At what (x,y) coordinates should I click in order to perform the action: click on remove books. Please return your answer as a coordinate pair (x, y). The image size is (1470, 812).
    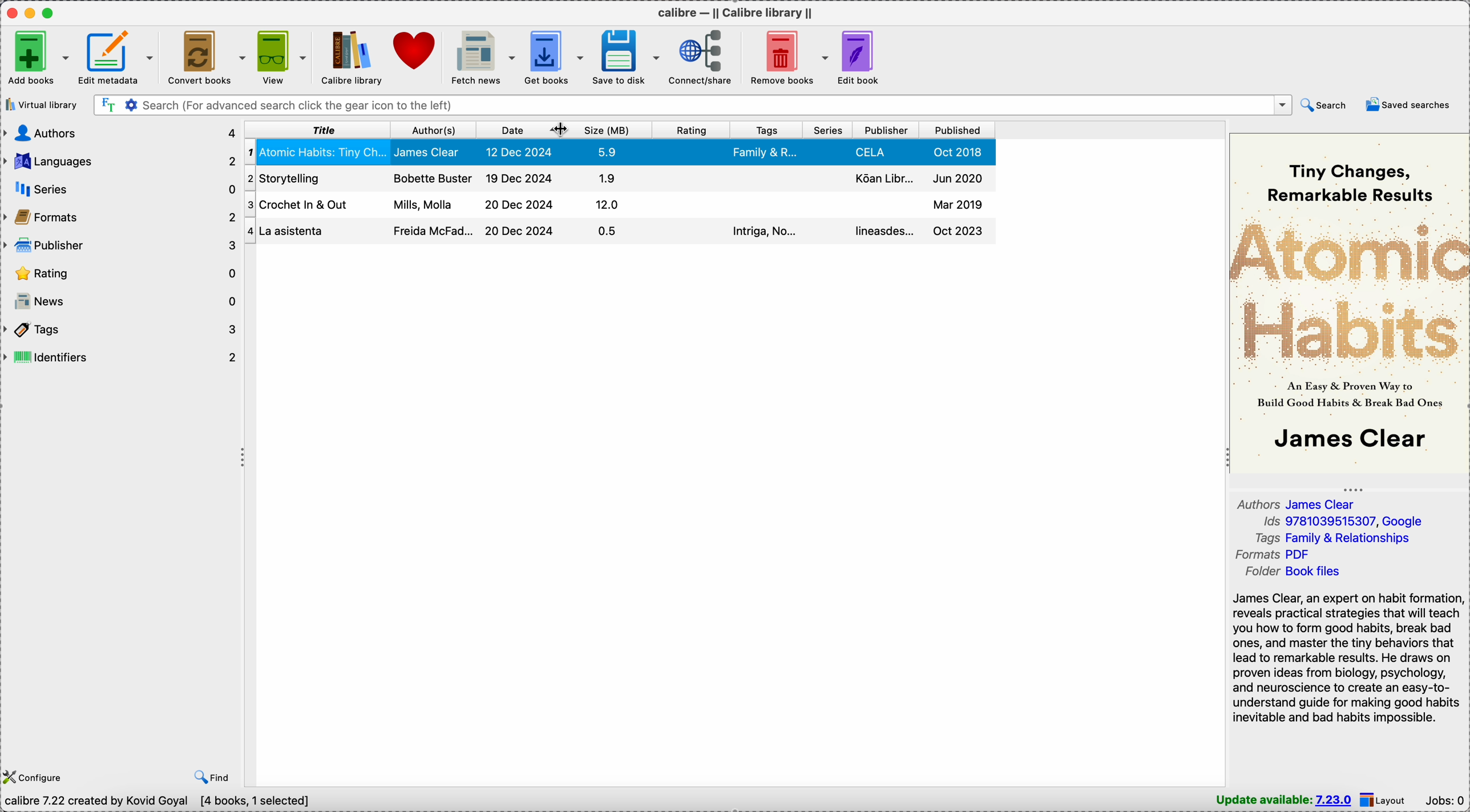
    Looking at the image, I should click on (787, 56).